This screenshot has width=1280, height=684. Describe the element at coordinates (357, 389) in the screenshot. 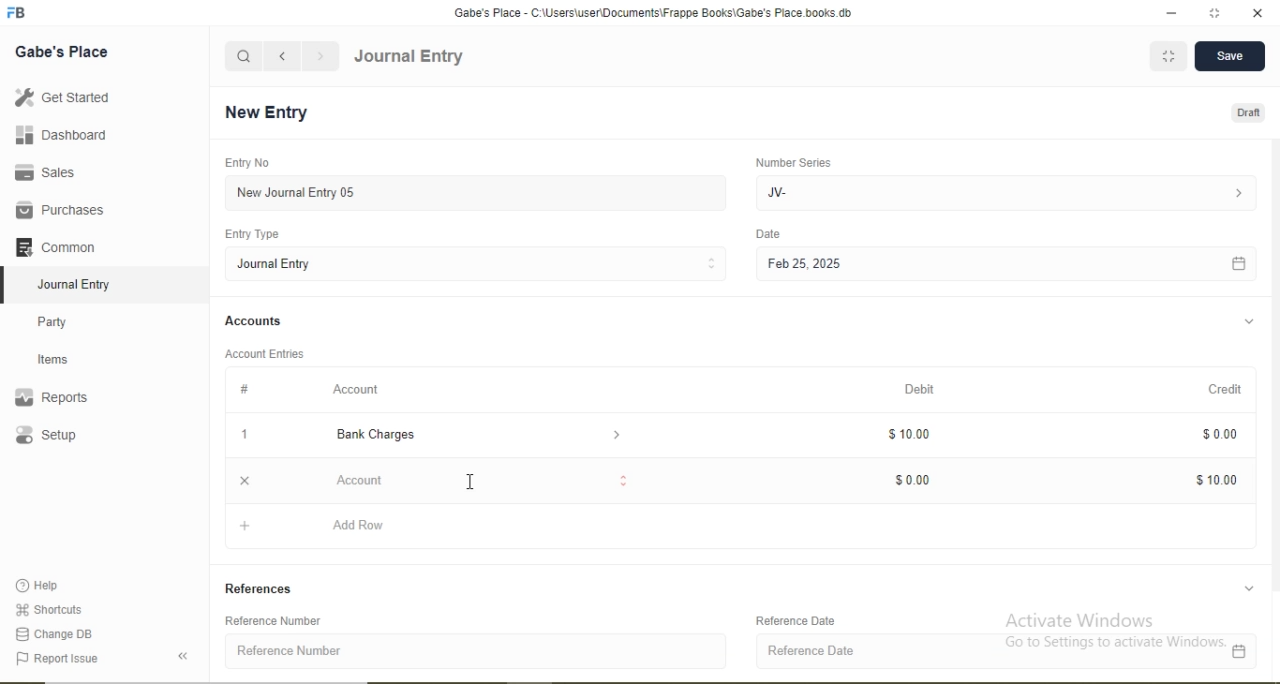

I see `Account` at that location.